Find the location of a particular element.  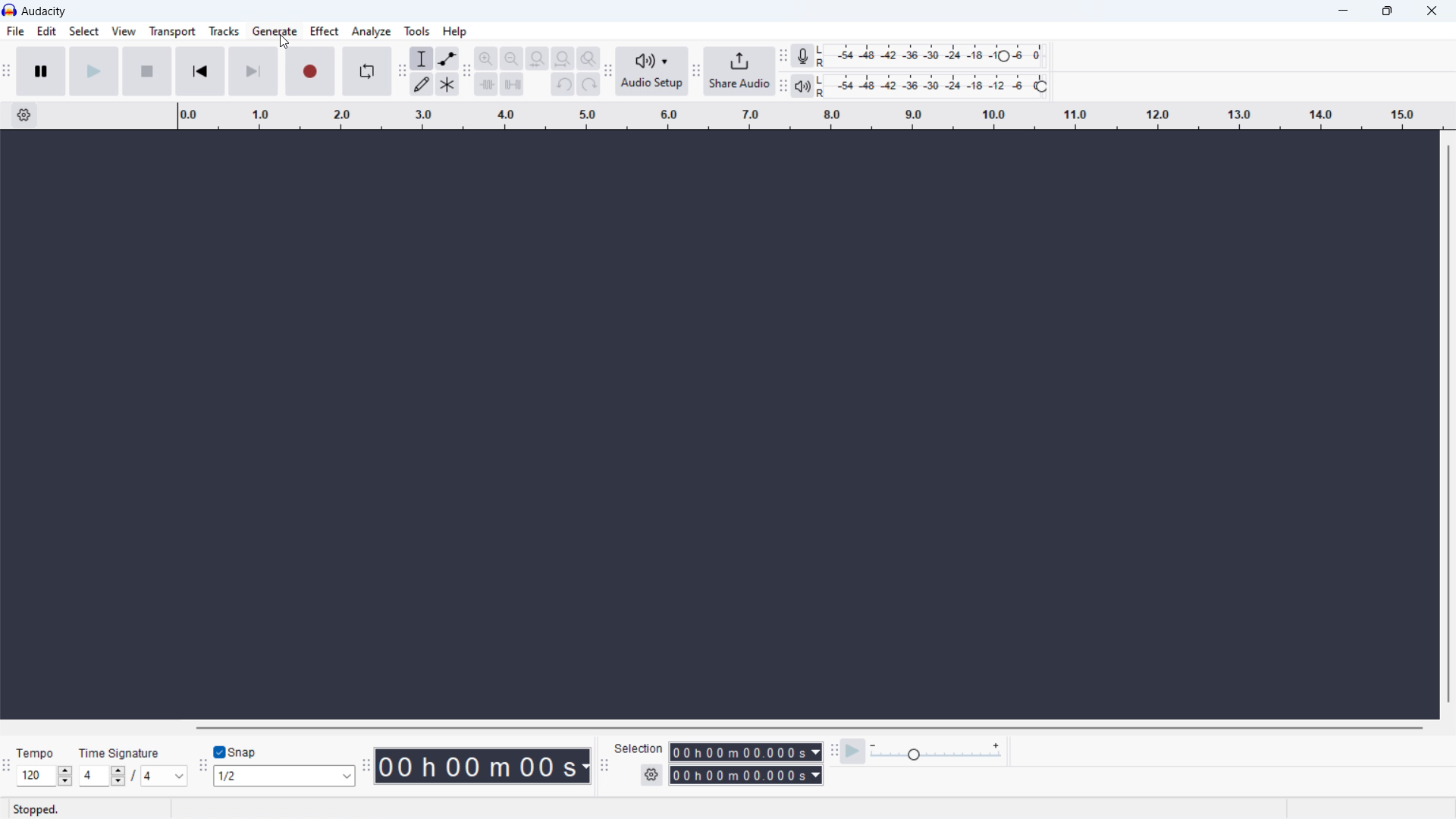

horizontal scrollbar is located at coordinates (805, 727).